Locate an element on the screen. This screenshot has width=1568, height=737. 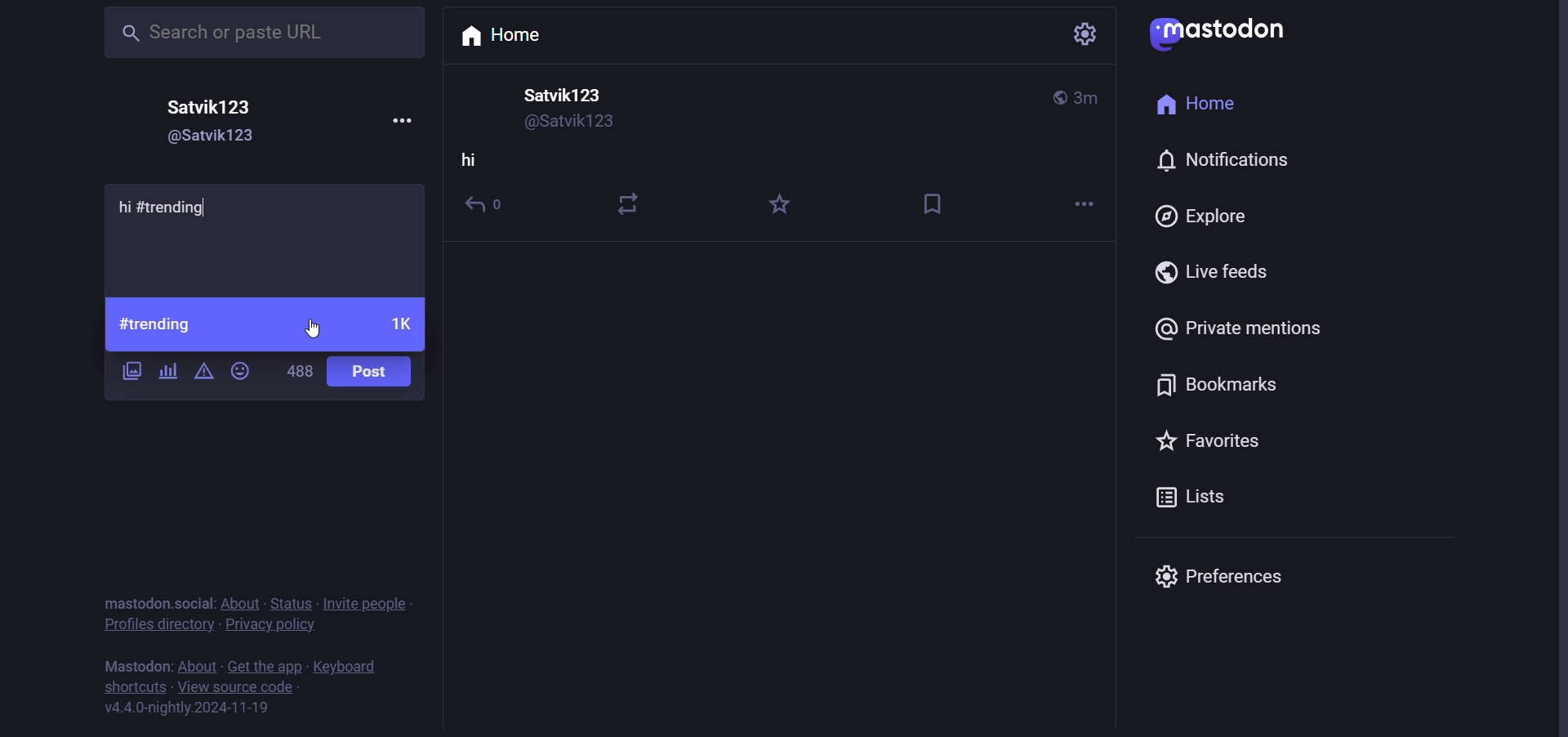
private mention is located at coordinates (1236, 331).